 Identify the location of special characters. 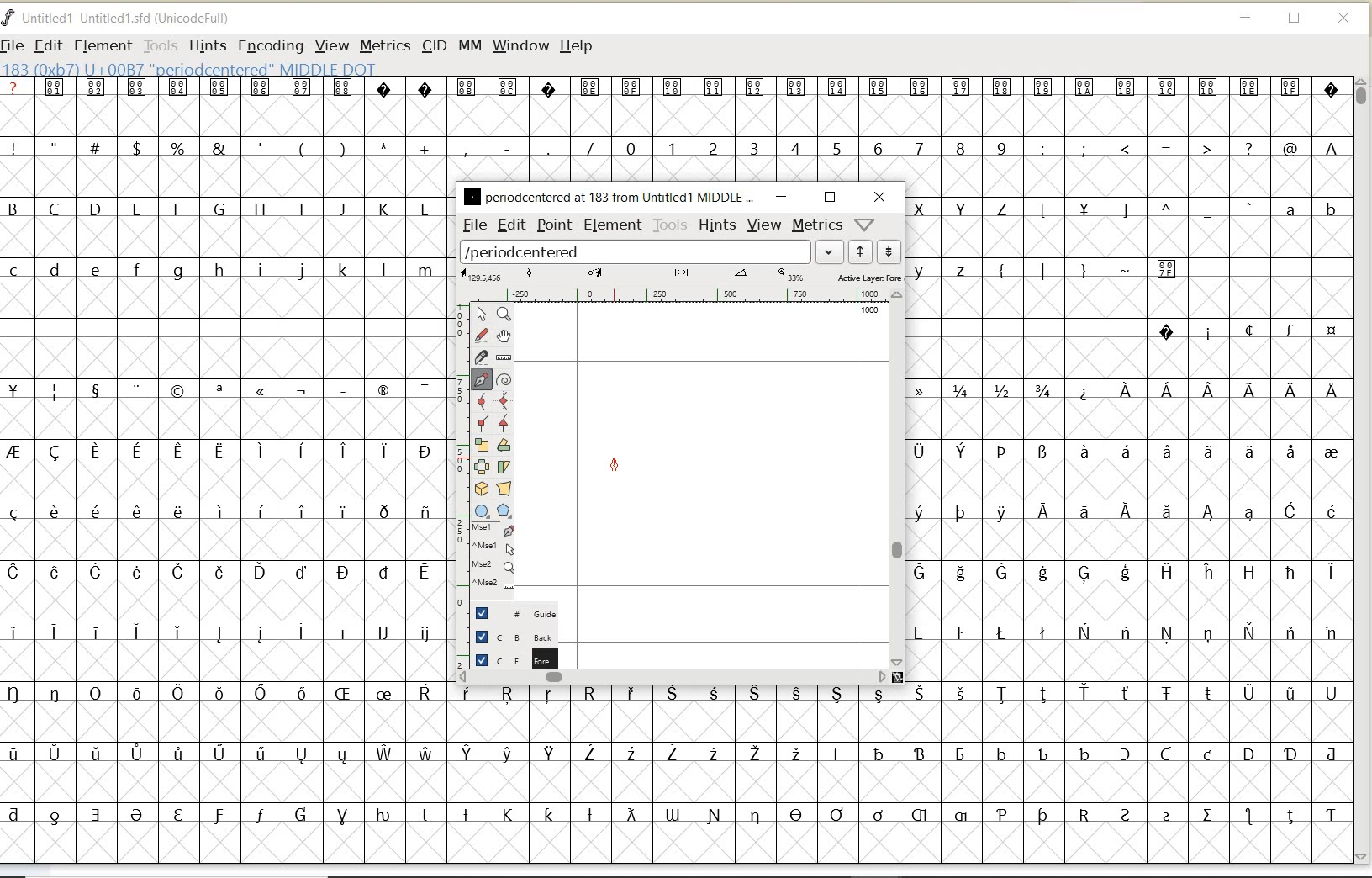
(1193, 149).